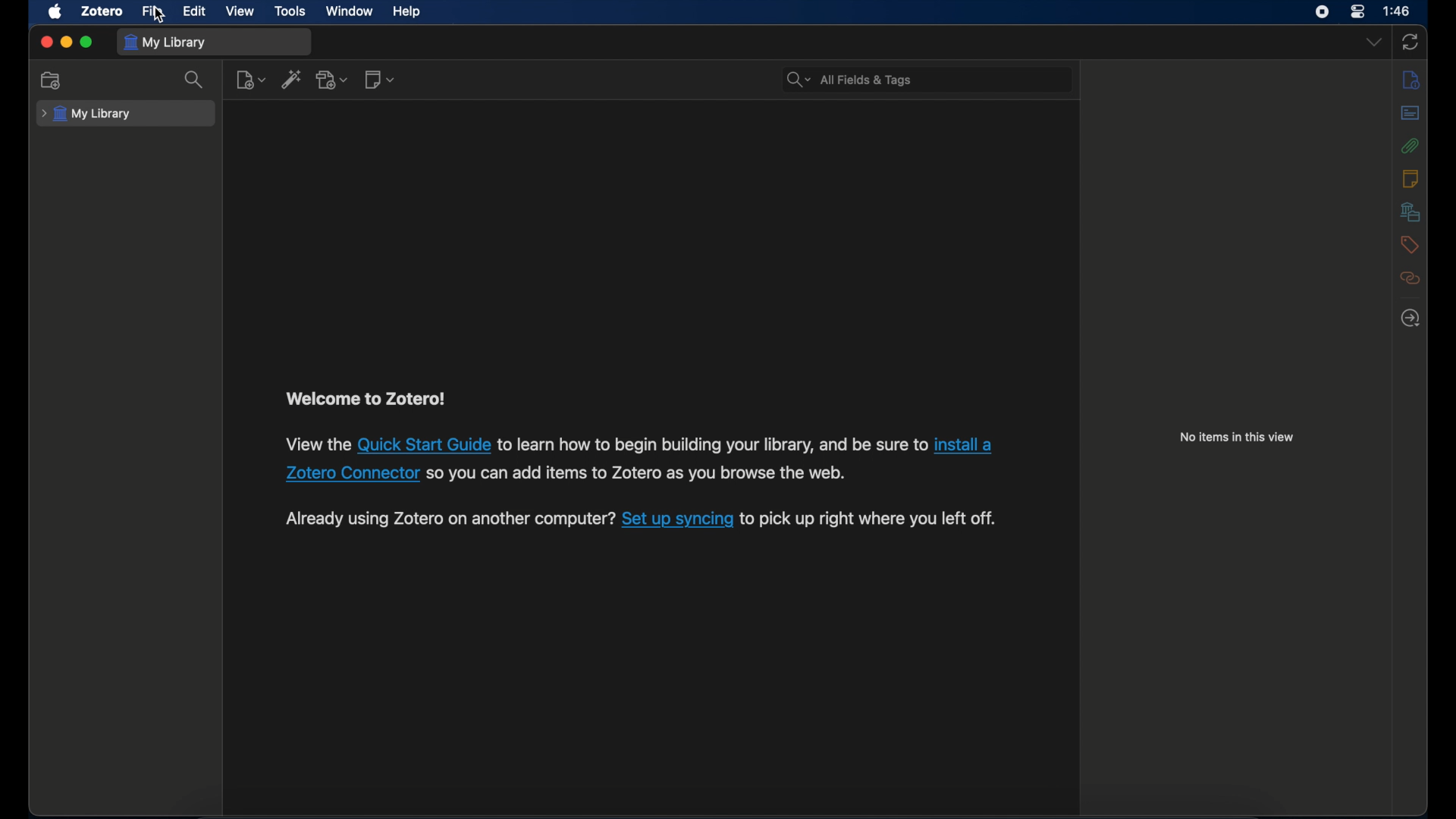  What do you see at coordinates (349, 475) in the screenshot?
I see `Zotero Connector` at bounding box center [349, 475].